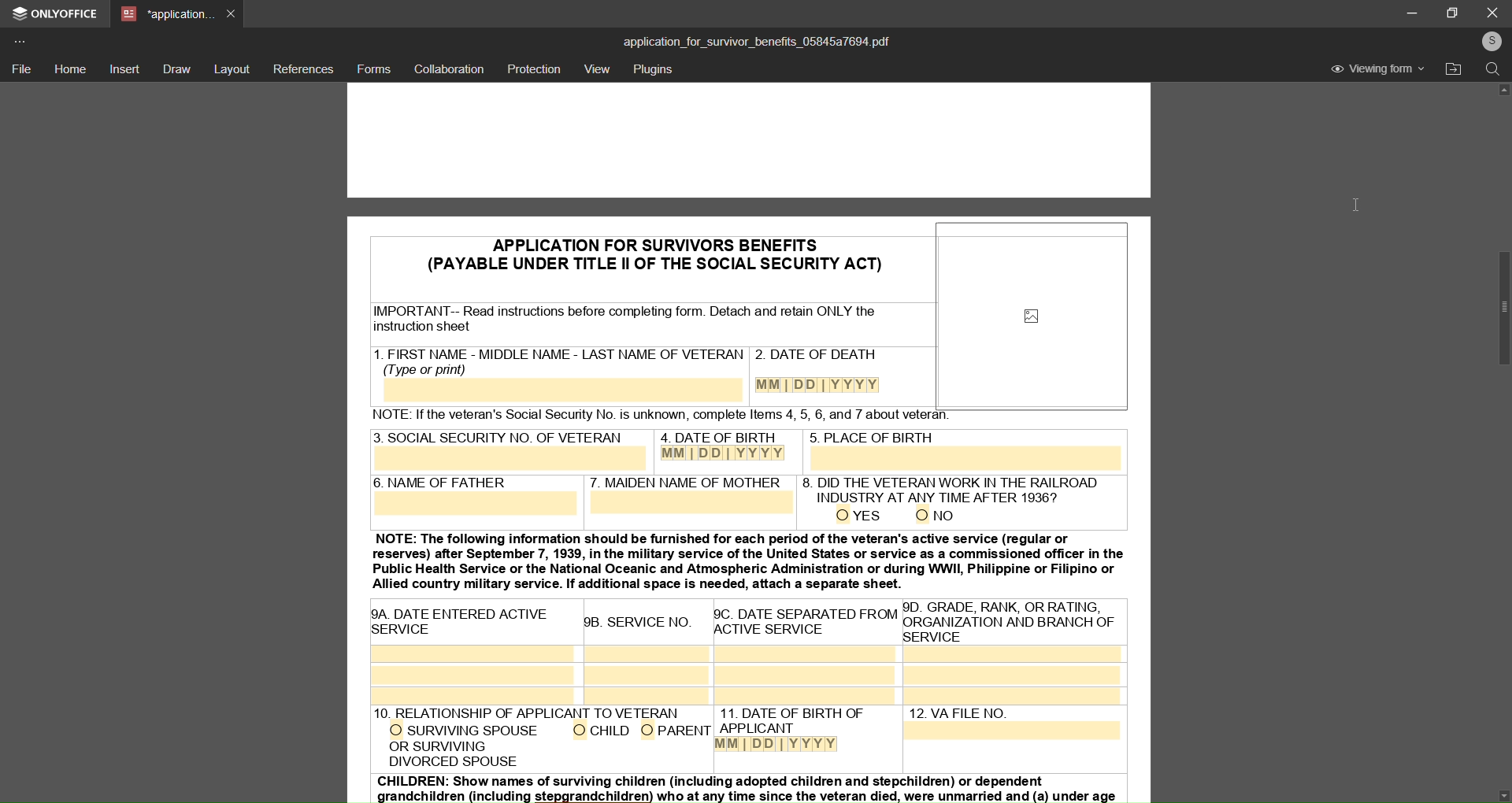 Image resolution: width=1512 pixels, height=803 pixels. I want to click on user, so click(1490, 41).